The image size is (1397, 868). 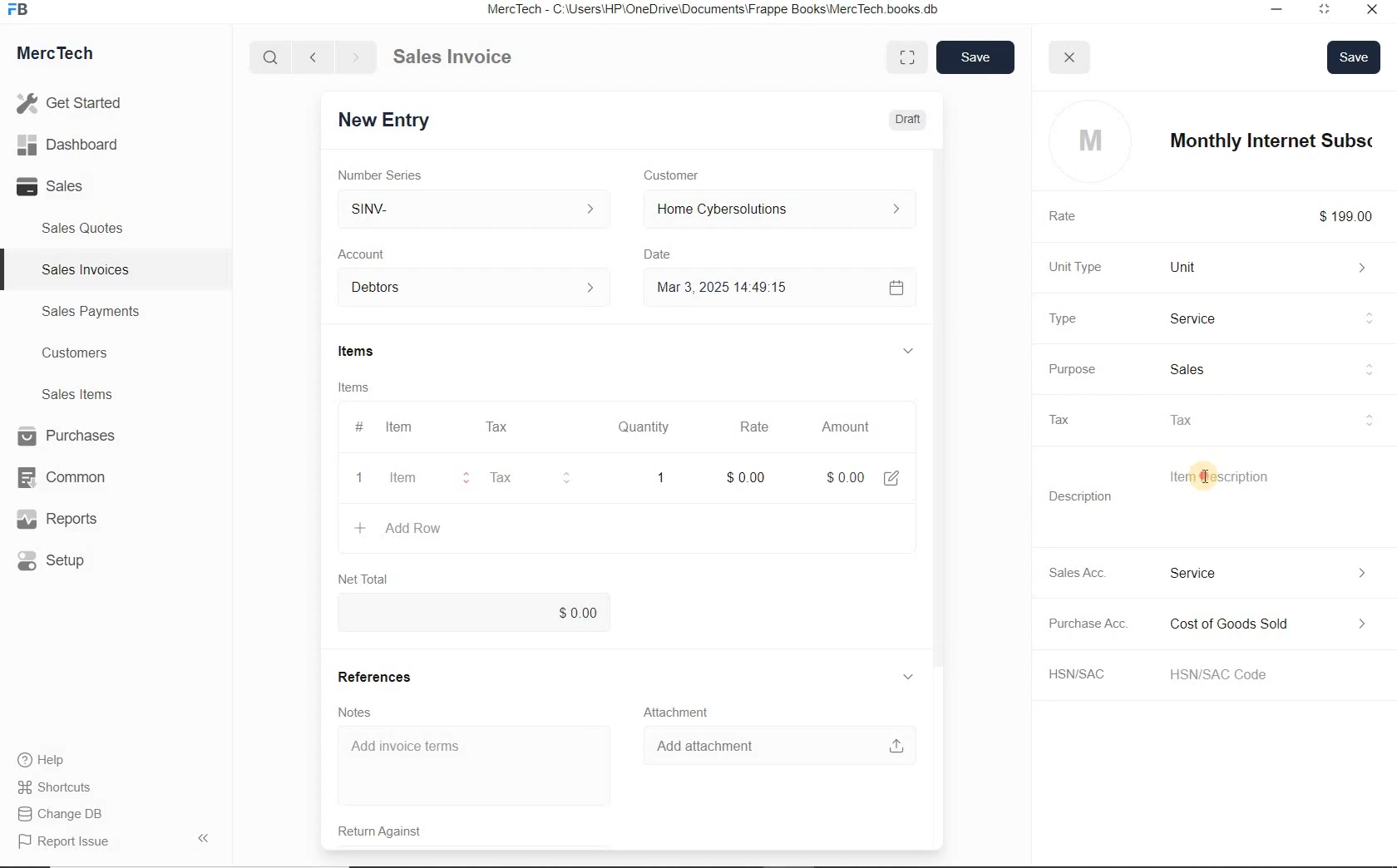 What do you see at coordinates (474, 766) in the screenshot?
I see `Add invoice terms` at bounding box center [474, 766].